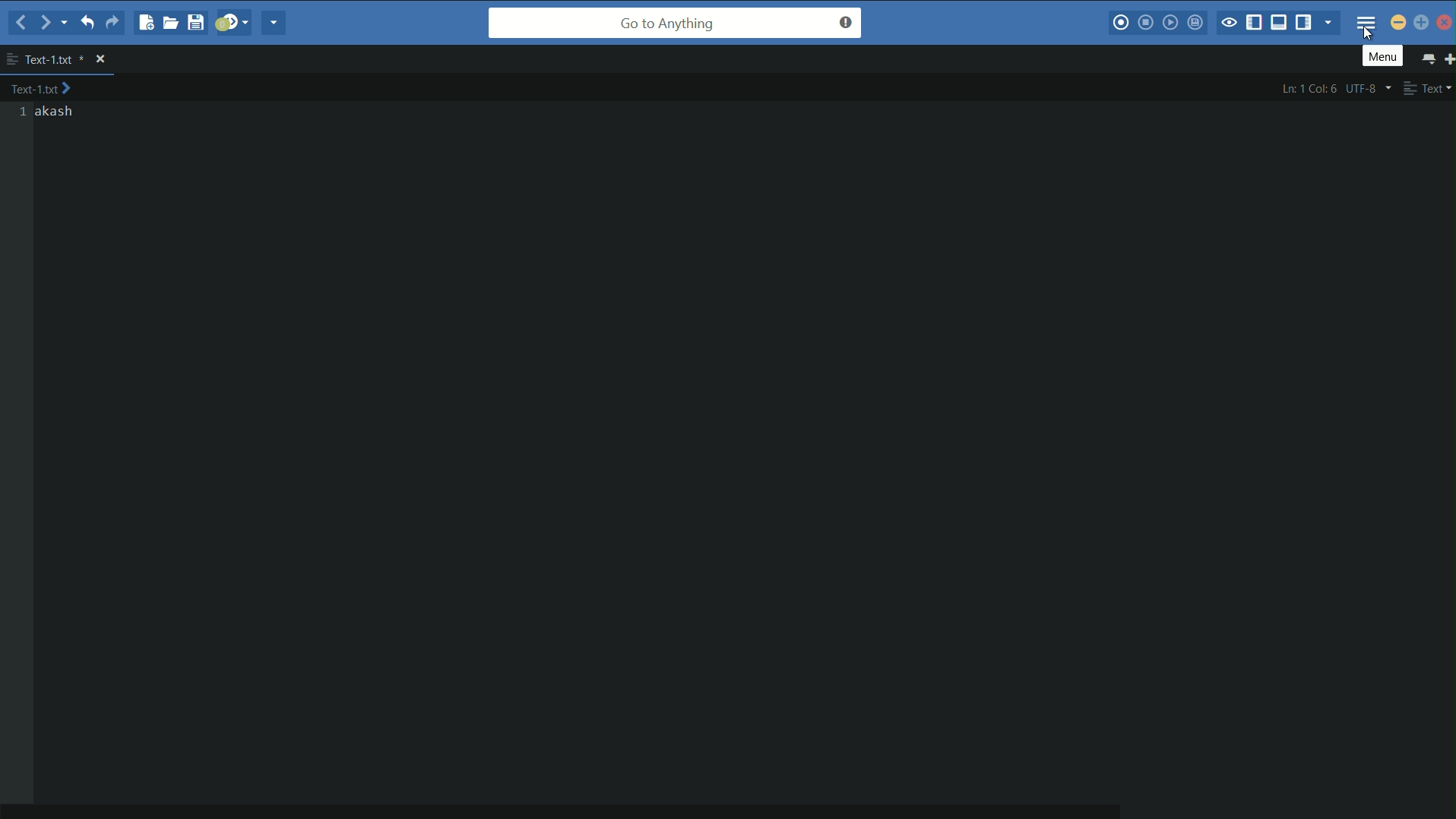  I want to click on more options, so click(11, 59).